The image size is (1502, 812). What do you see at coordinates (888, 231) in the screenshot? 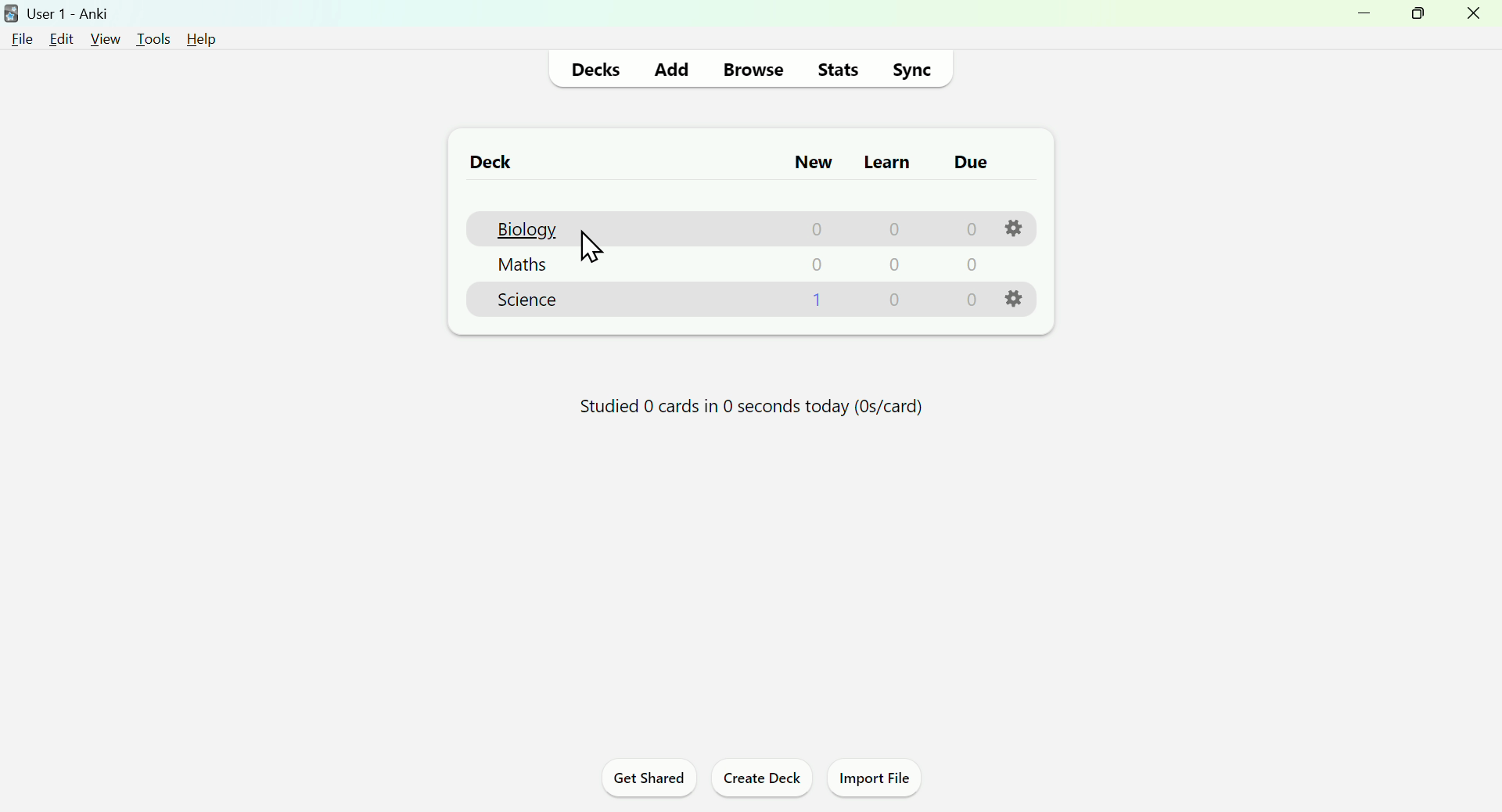
I see `0` at bounding box center [888, 231].